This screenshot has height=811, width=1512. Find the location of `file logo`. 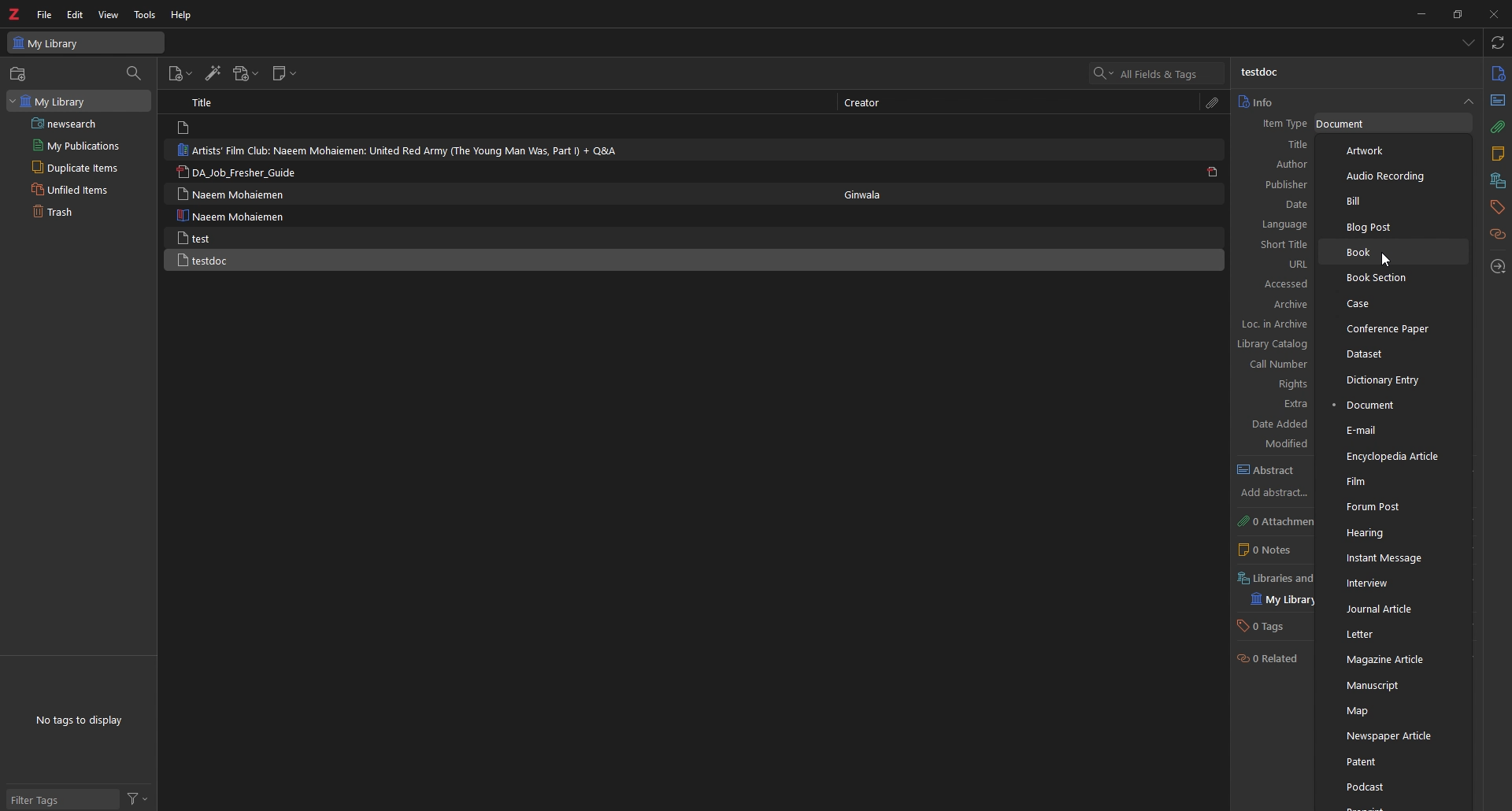

file logo is located at coordinates (186, 128).